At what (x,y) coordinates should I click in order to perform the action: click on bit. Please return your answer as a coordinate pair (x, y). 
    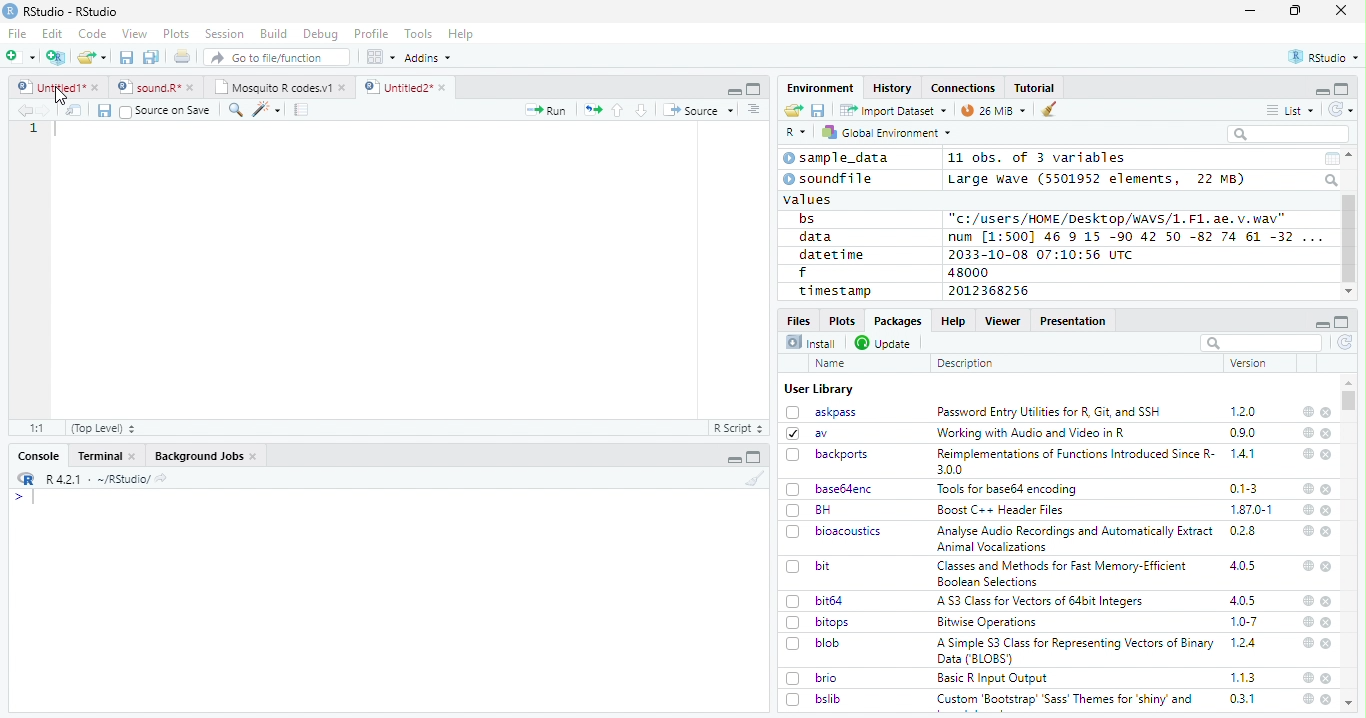
    Looking at the image, I should click on (809, 567).